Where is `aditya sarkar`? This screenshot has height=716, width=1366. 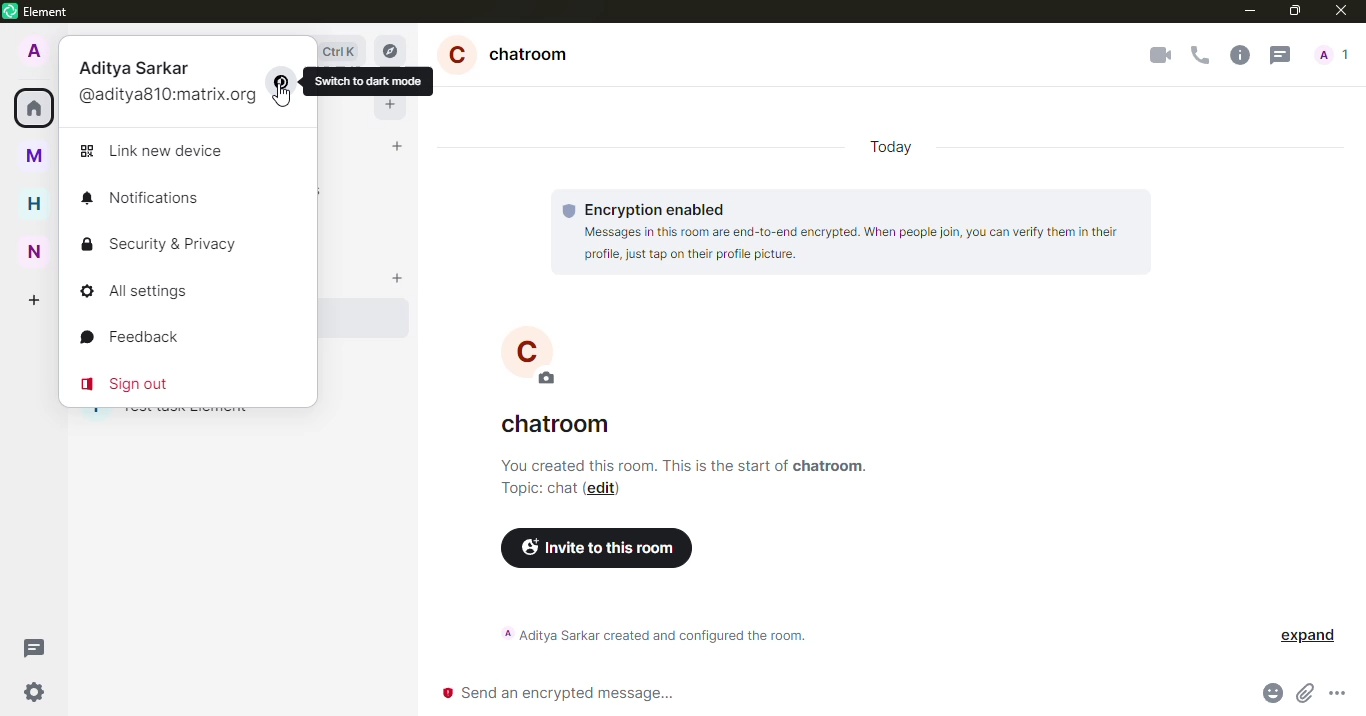 aditya sarkar is located at coordinates (137, 68).